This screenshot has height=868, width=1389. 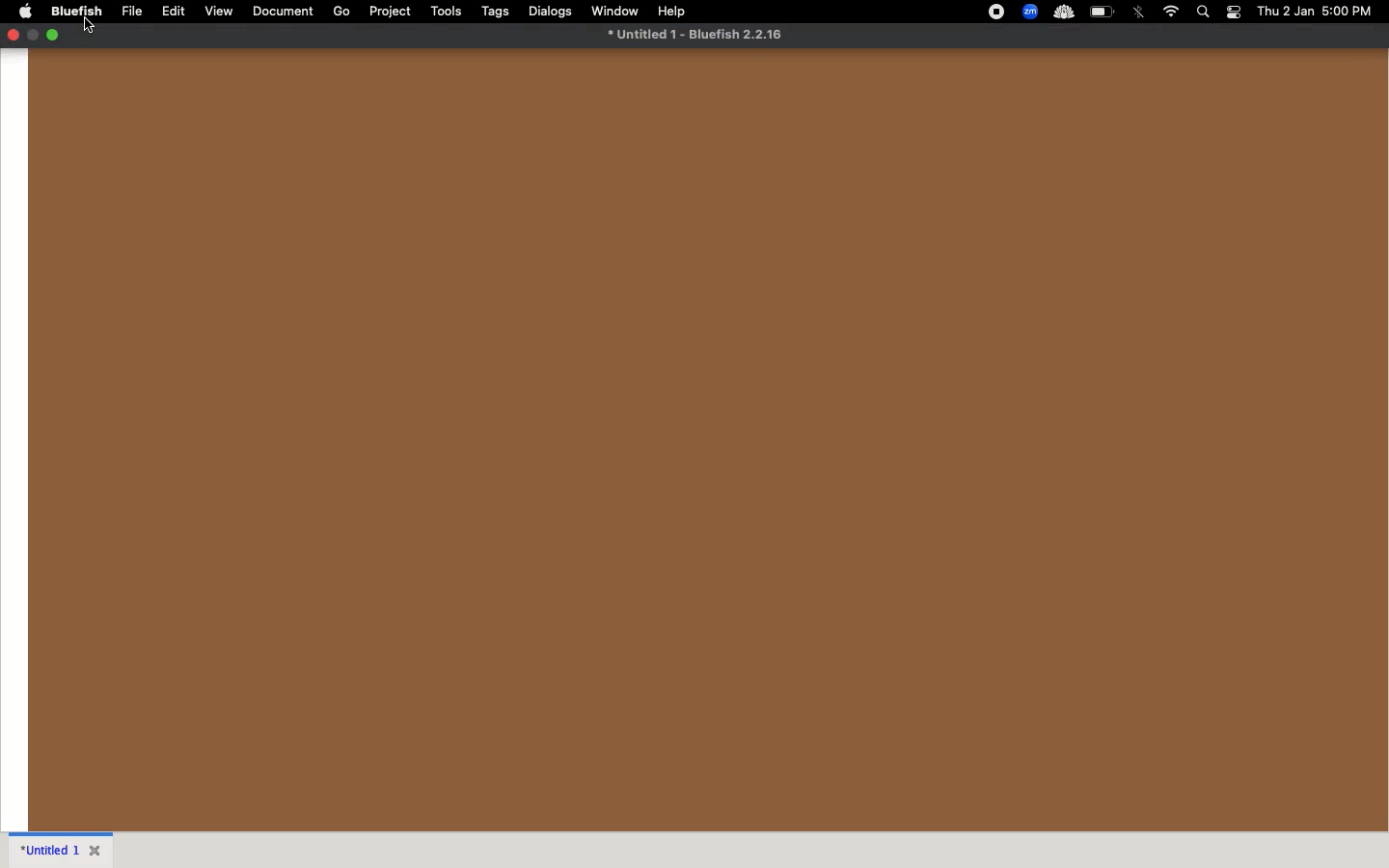 I want to click on edit, so click(x=176, y=12).